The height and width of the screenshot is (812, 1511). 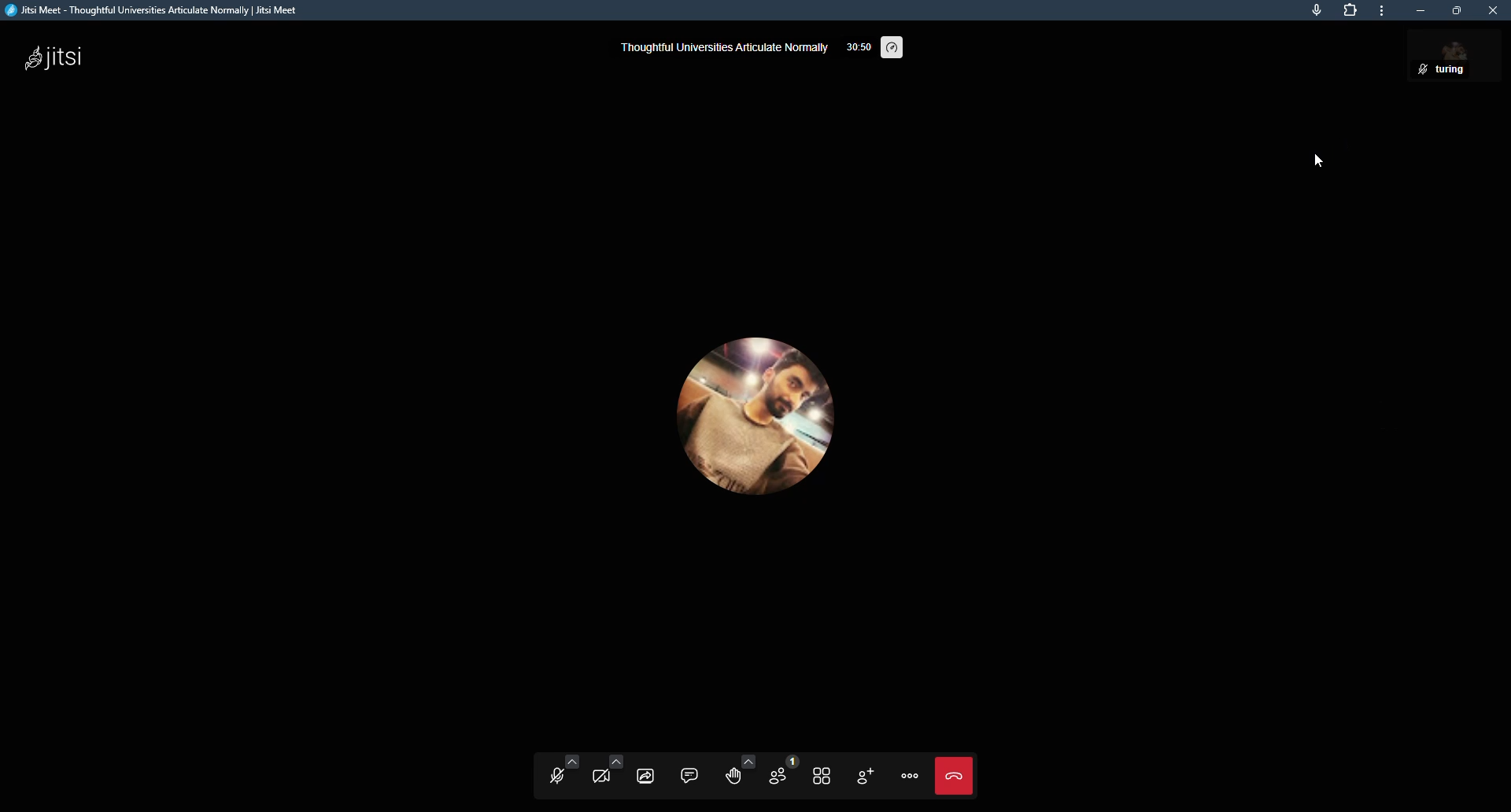 What do you see at coordinates (822, 775) in the screenshot?
I see `toggle title view` at bounding box center [822, 775].